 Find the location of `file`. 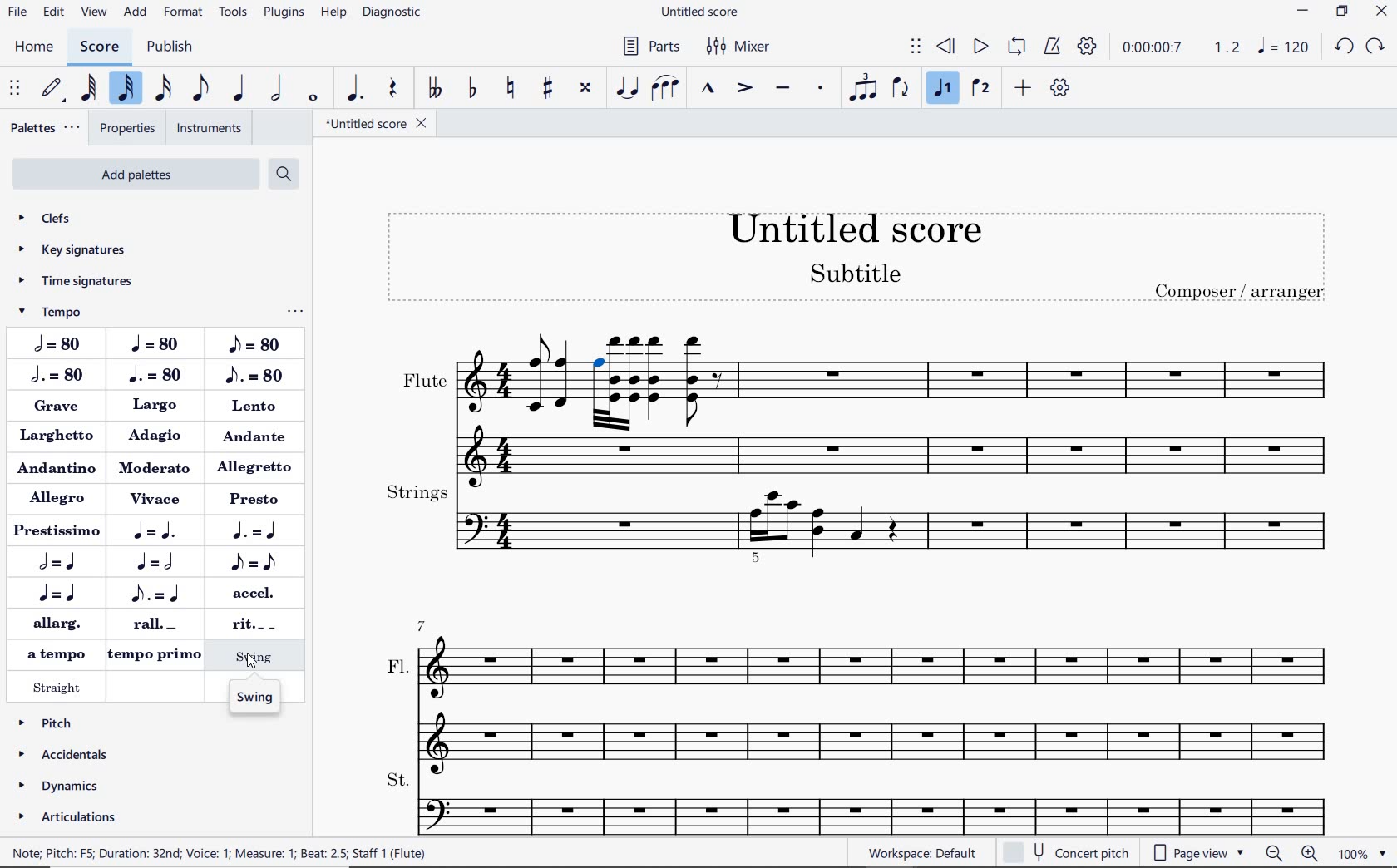

file is located at coordinates (17, 11).